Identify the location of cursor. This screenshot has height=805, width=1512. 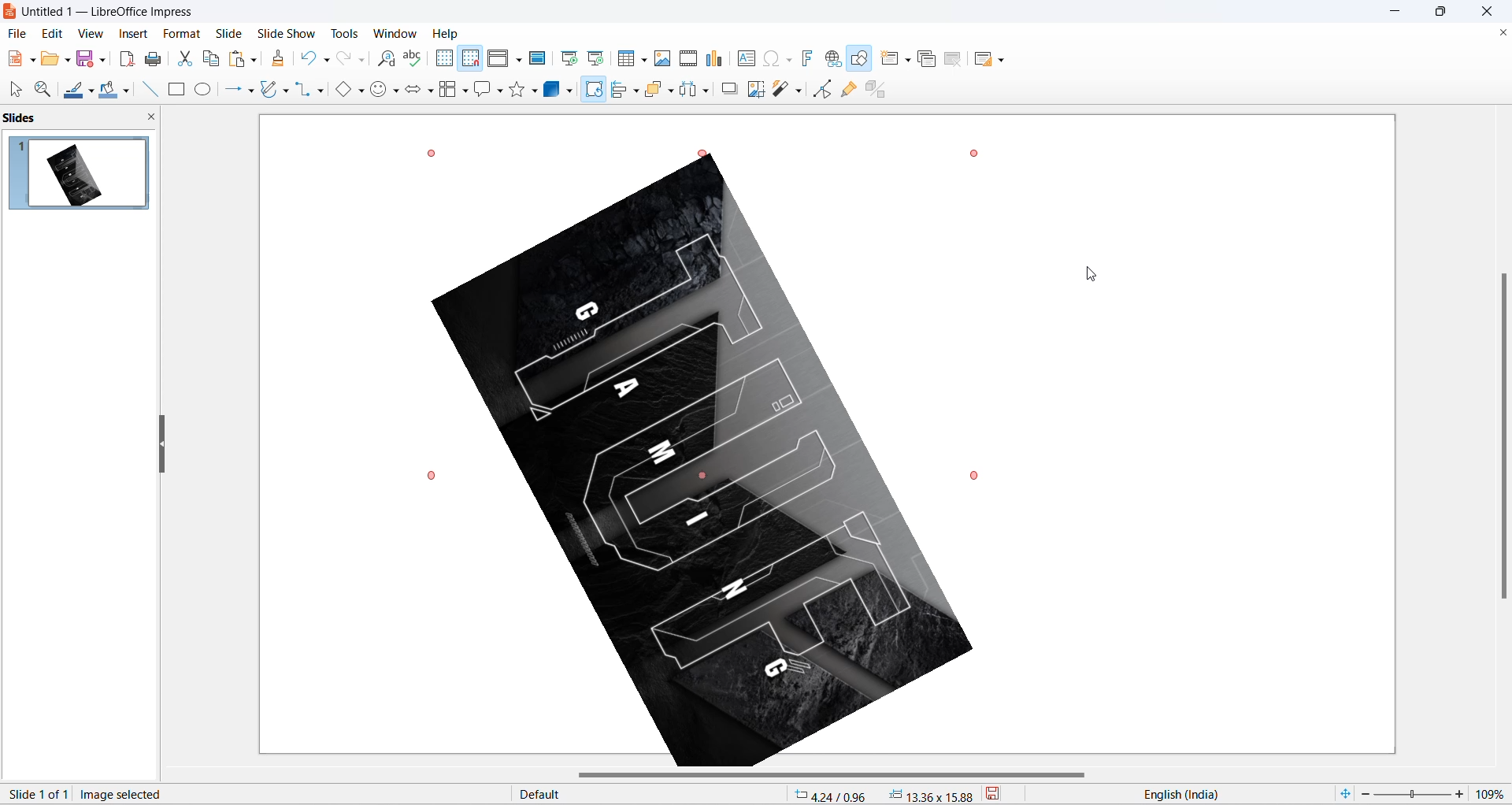
(1094, 275).